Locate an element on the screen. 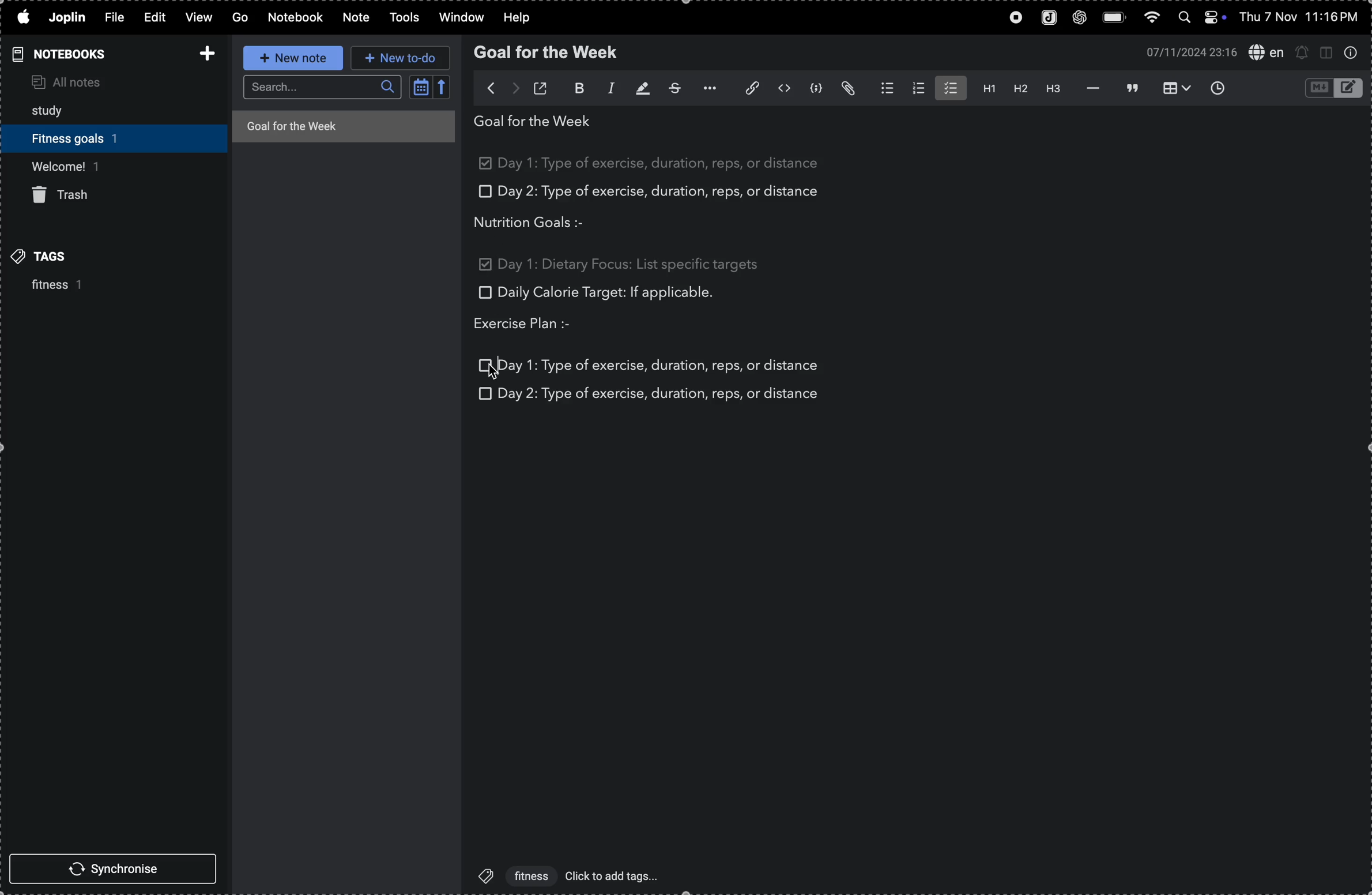 This screenshot has height=895, width=1372. checkbox is located at coordinates (484, 393).